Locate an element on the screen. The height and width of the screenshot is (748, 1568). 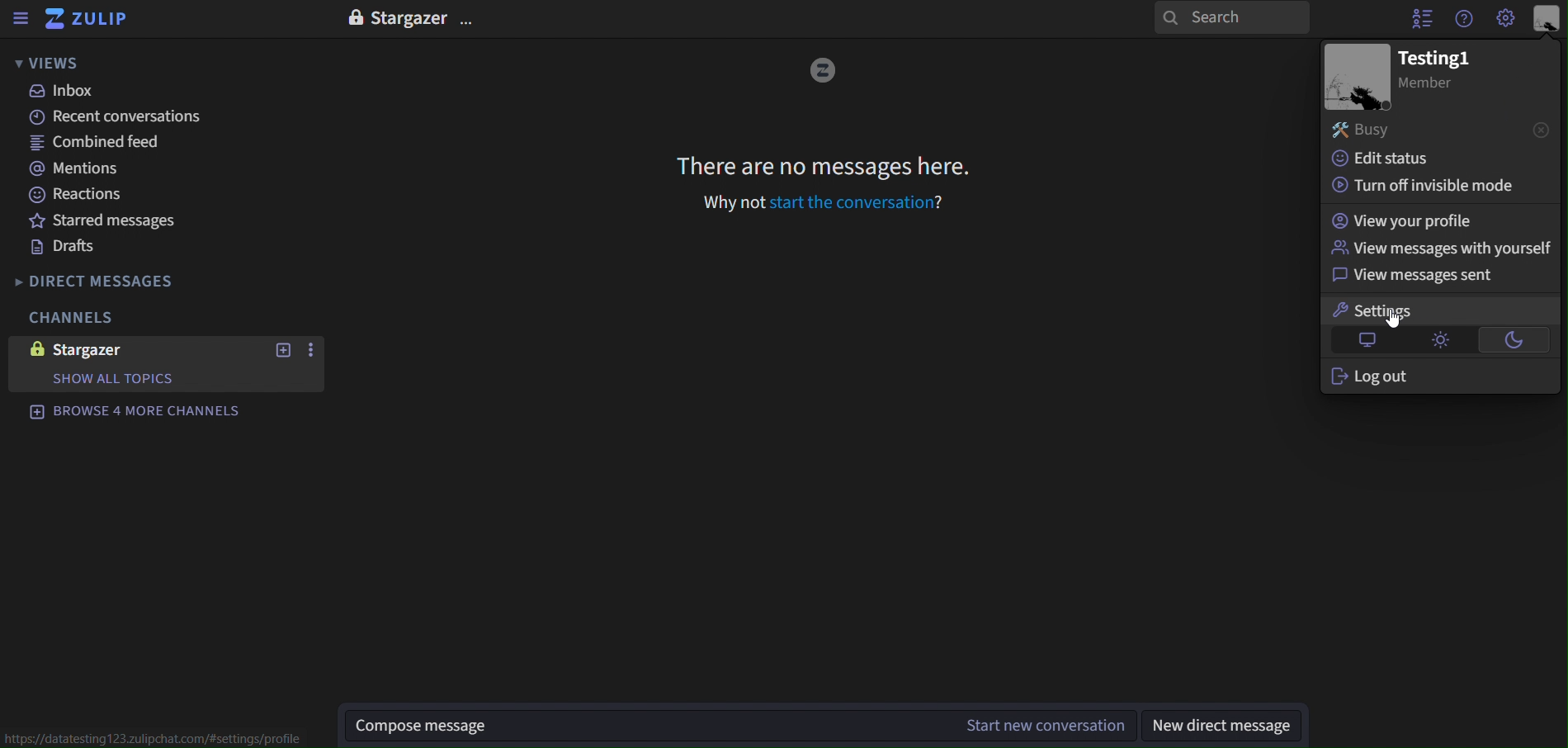
search is located at coordinates (1227, 20).